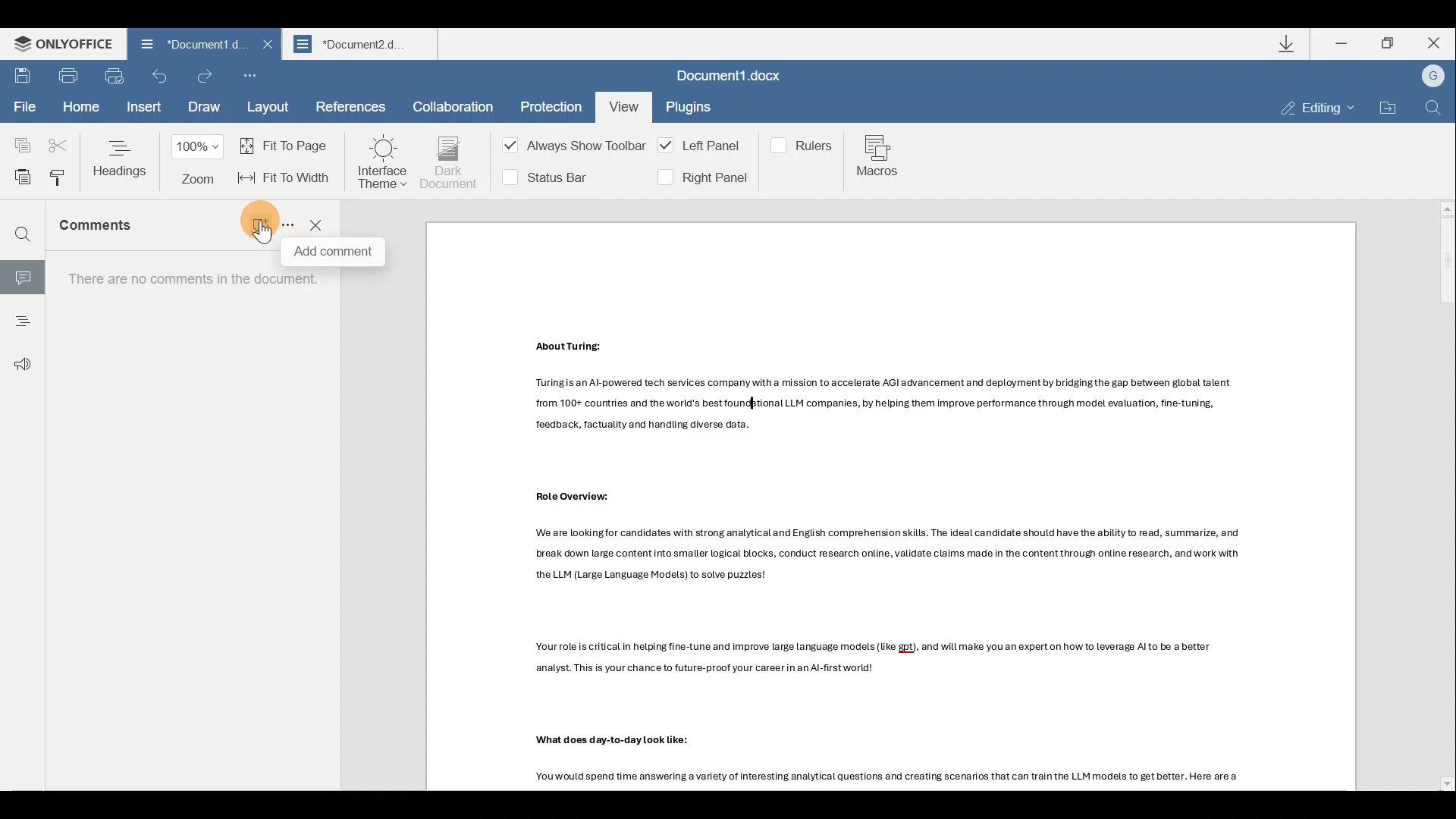 The width and height of the screenshot is (1456, 819). What do you see at coordinates (72, 78) in the screenshot?
I see `Print file` at bounding box center [72, 78].